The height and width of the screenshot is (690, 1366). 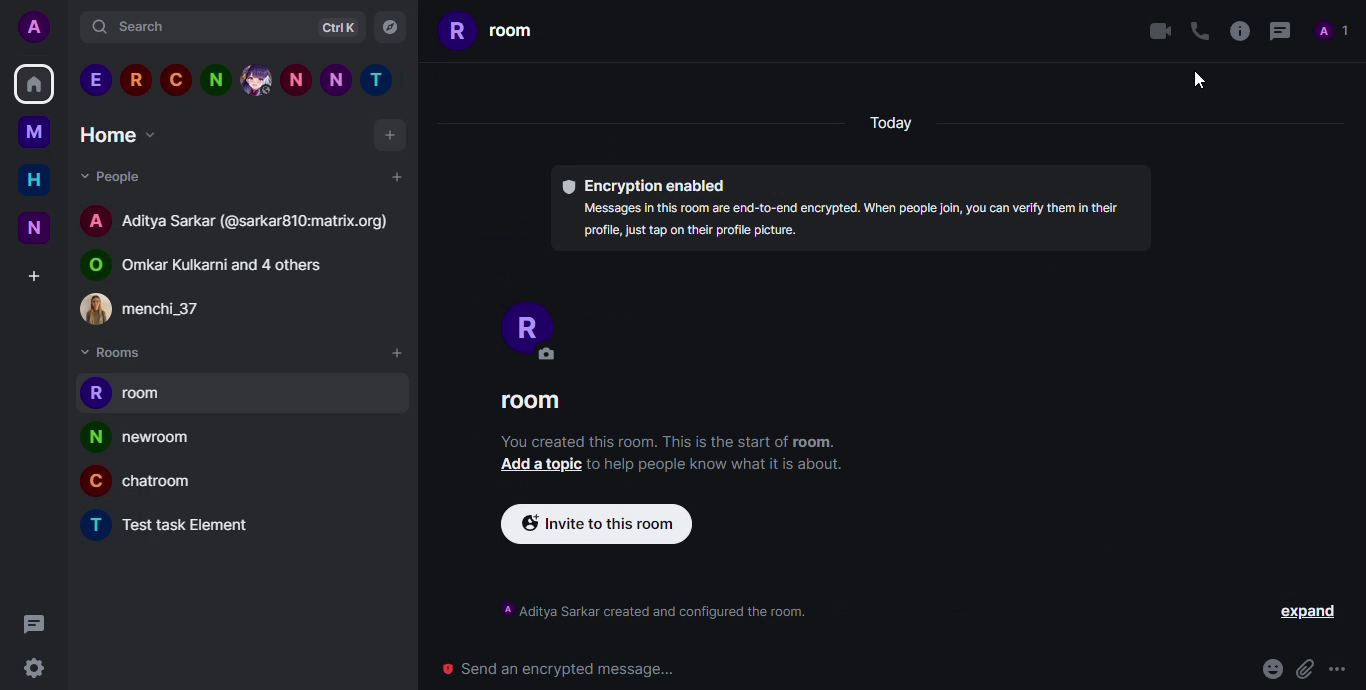 I want to click on people, so click(x=233, y=267).